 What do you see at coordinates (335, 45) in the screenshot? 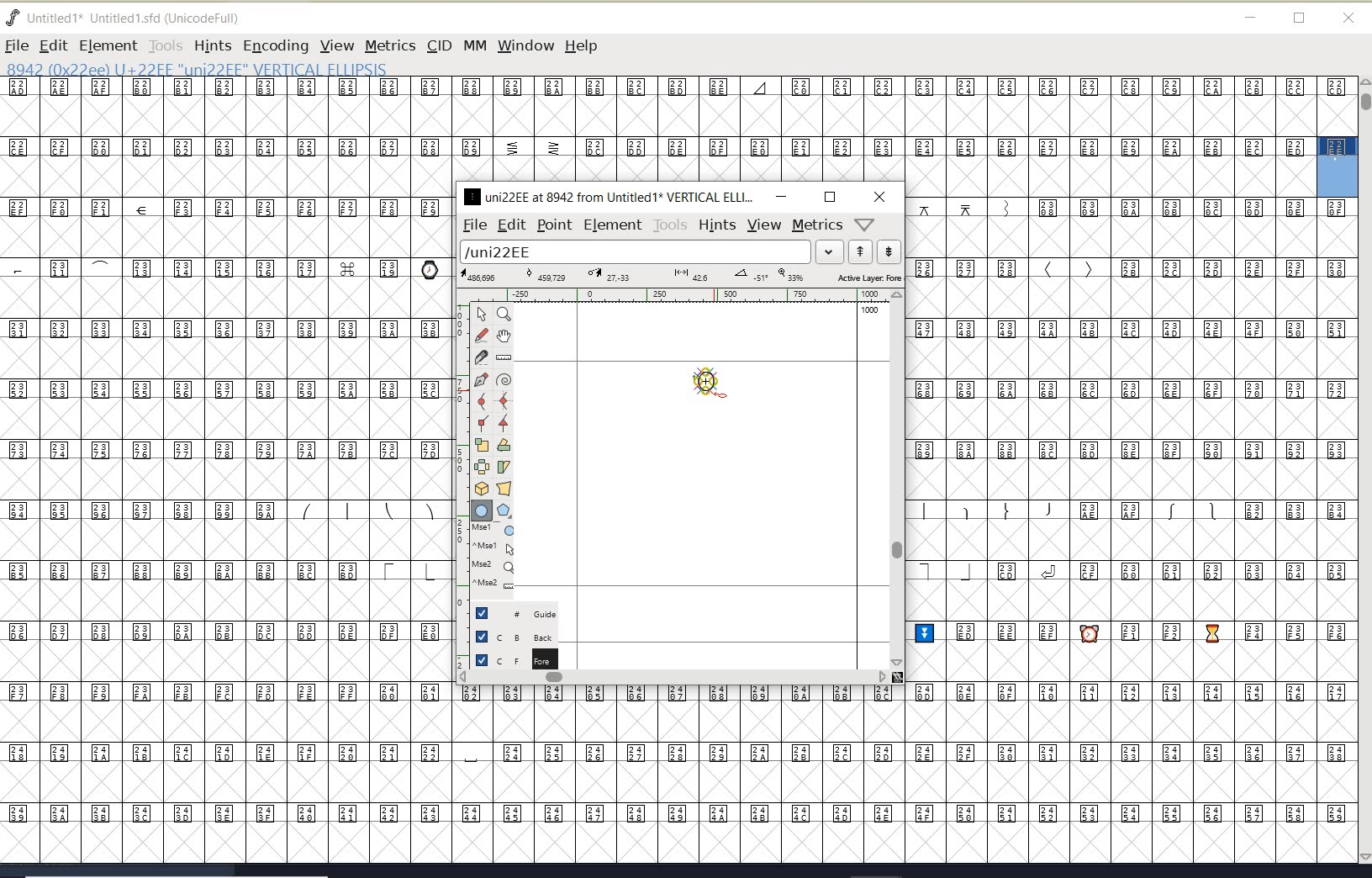
I see `VIEW` at bounding box center [335, 45].